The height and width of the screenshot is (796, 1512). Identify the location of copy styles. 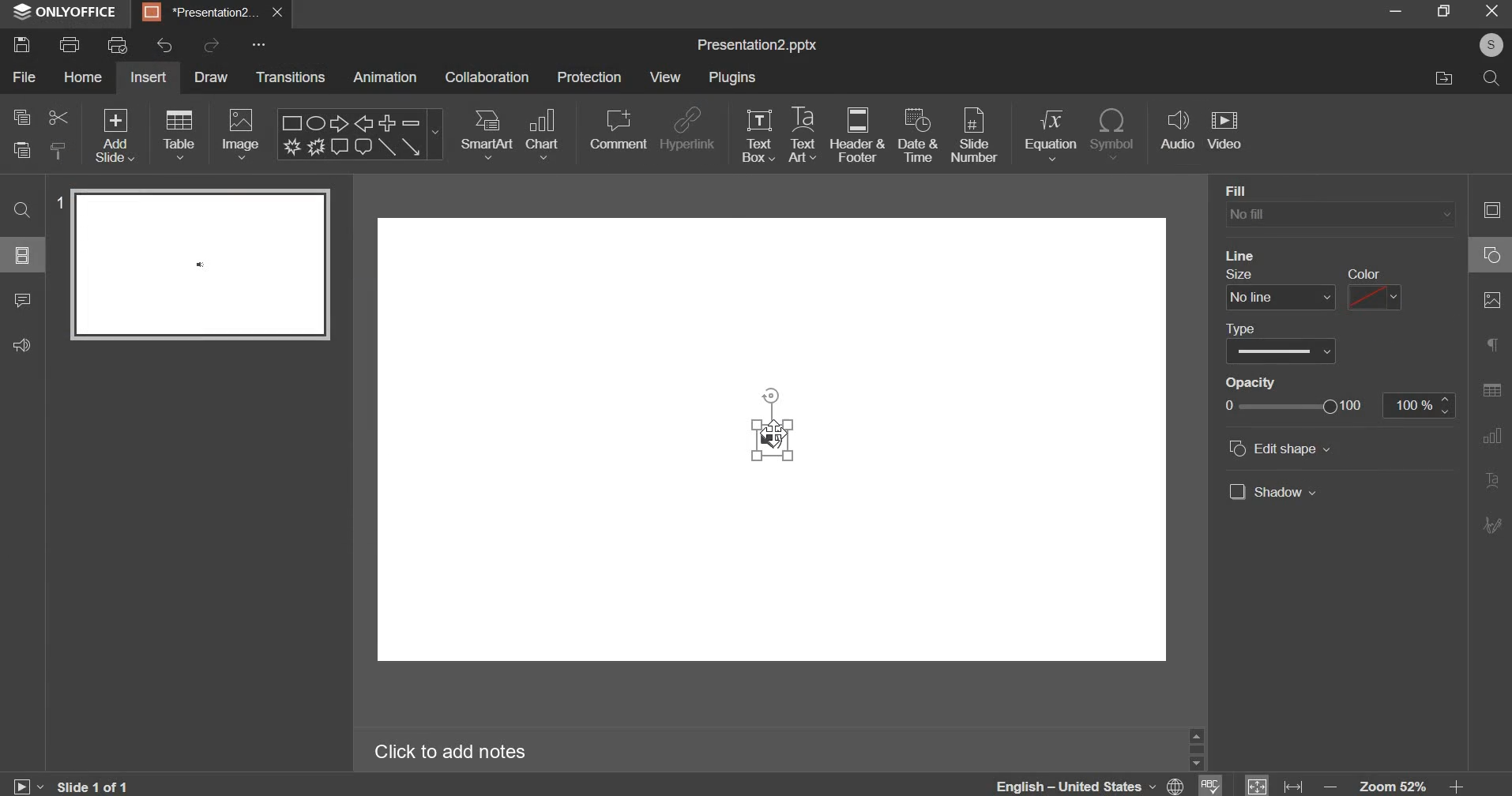
(60, 151).